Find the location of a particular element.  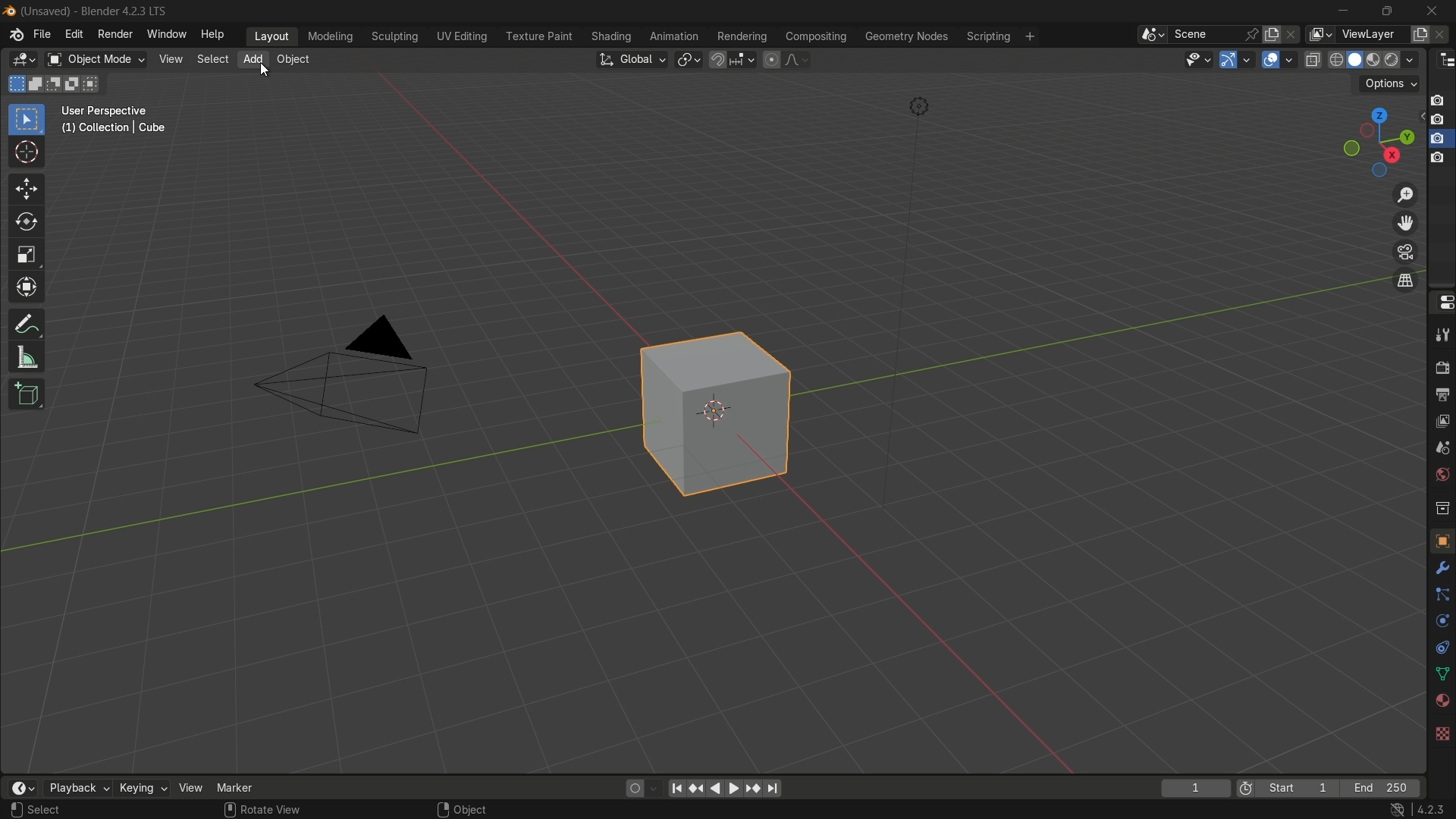

toggle x ray is located at coordinates (1313, 59).